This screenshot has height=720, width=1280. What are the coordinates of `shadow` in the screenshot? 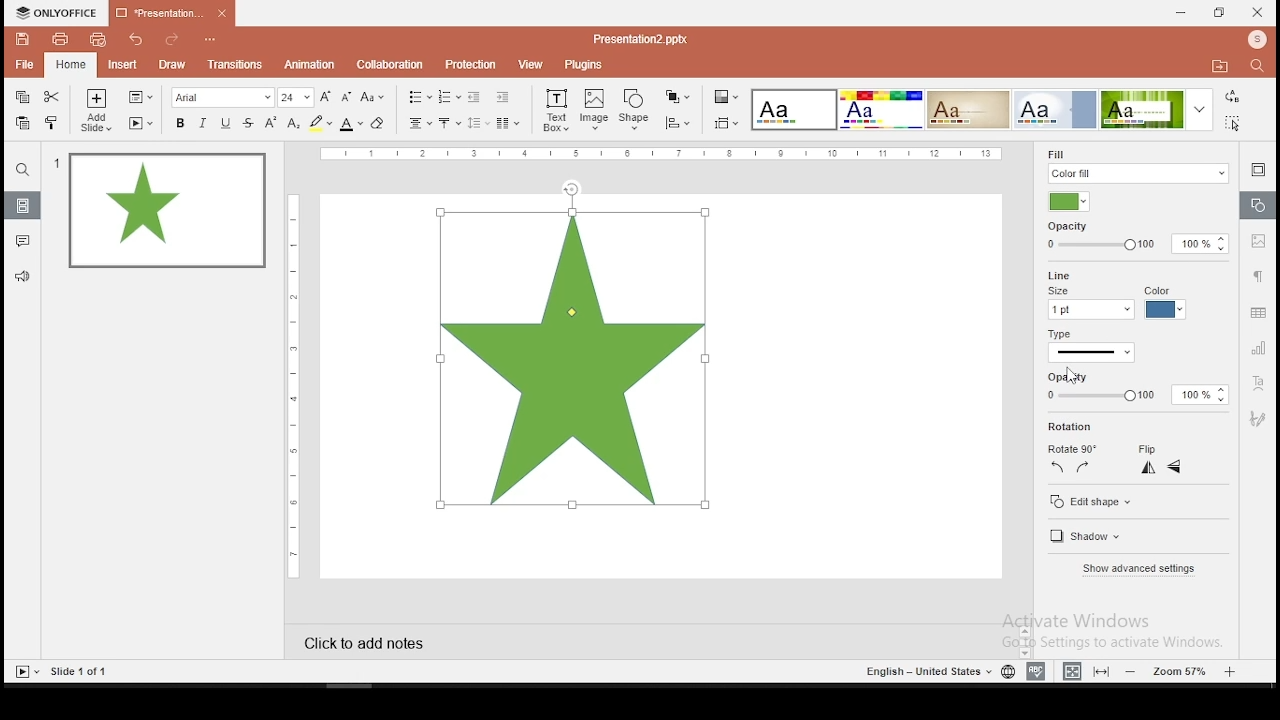 It's located at (1085, 537).